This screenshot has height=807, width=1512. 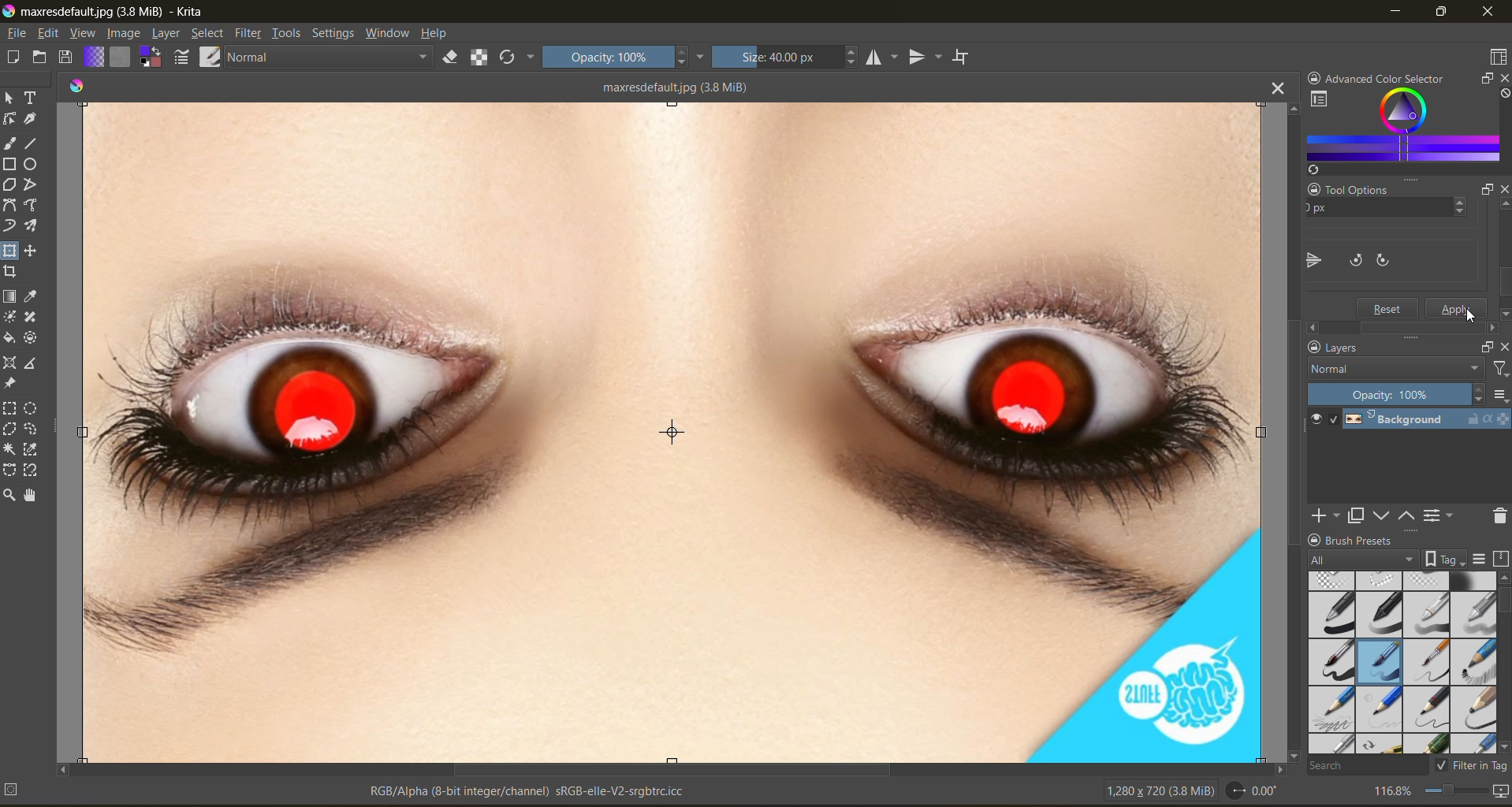 What do you see at coordinates (1402, 127) in the screenshot?
I see `advanced color selector` at bounding box center [1402, 127].